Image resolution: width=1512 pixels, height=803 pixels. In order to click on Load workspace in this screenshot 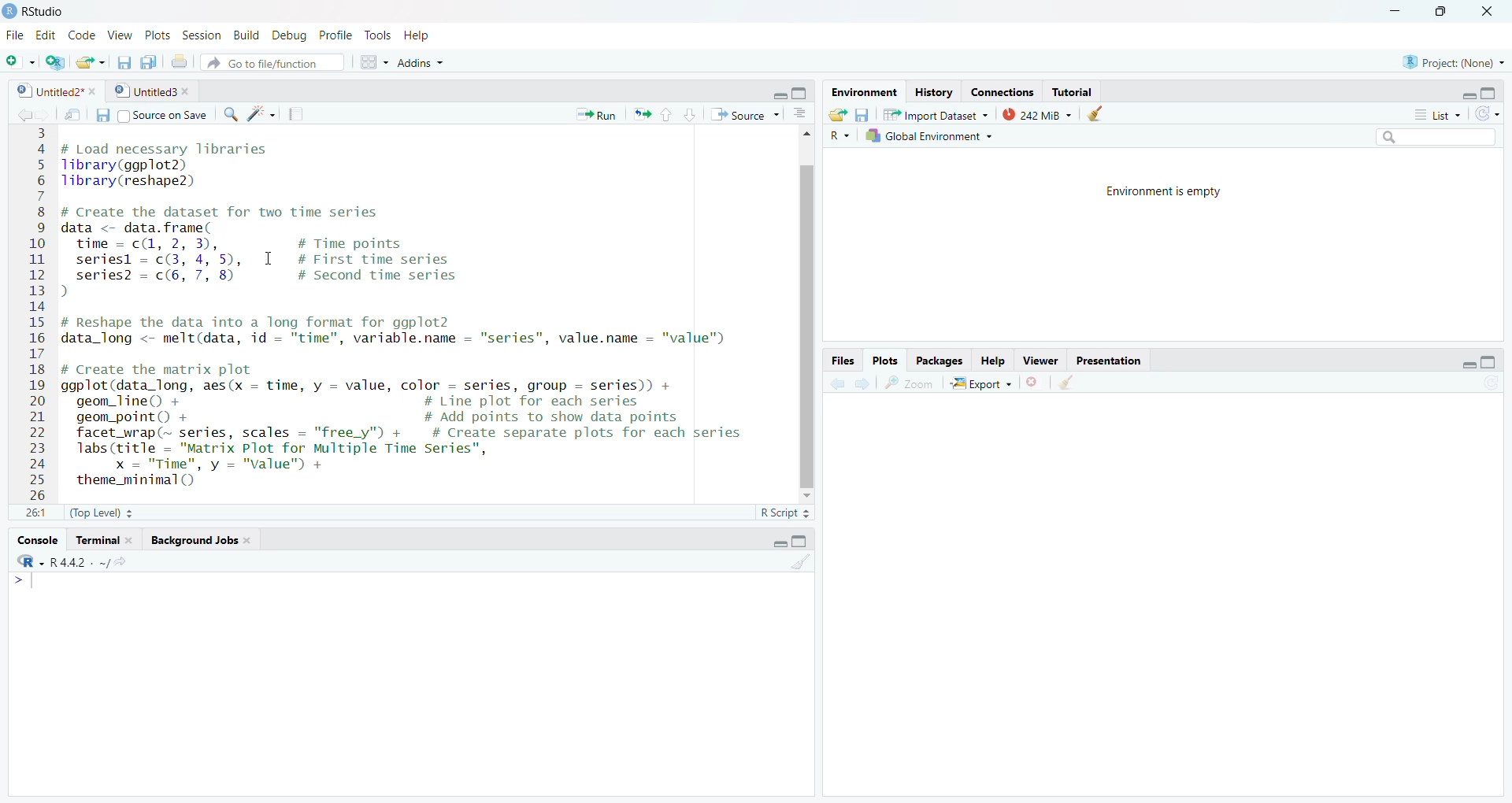, I will do `click(838, 113)`.